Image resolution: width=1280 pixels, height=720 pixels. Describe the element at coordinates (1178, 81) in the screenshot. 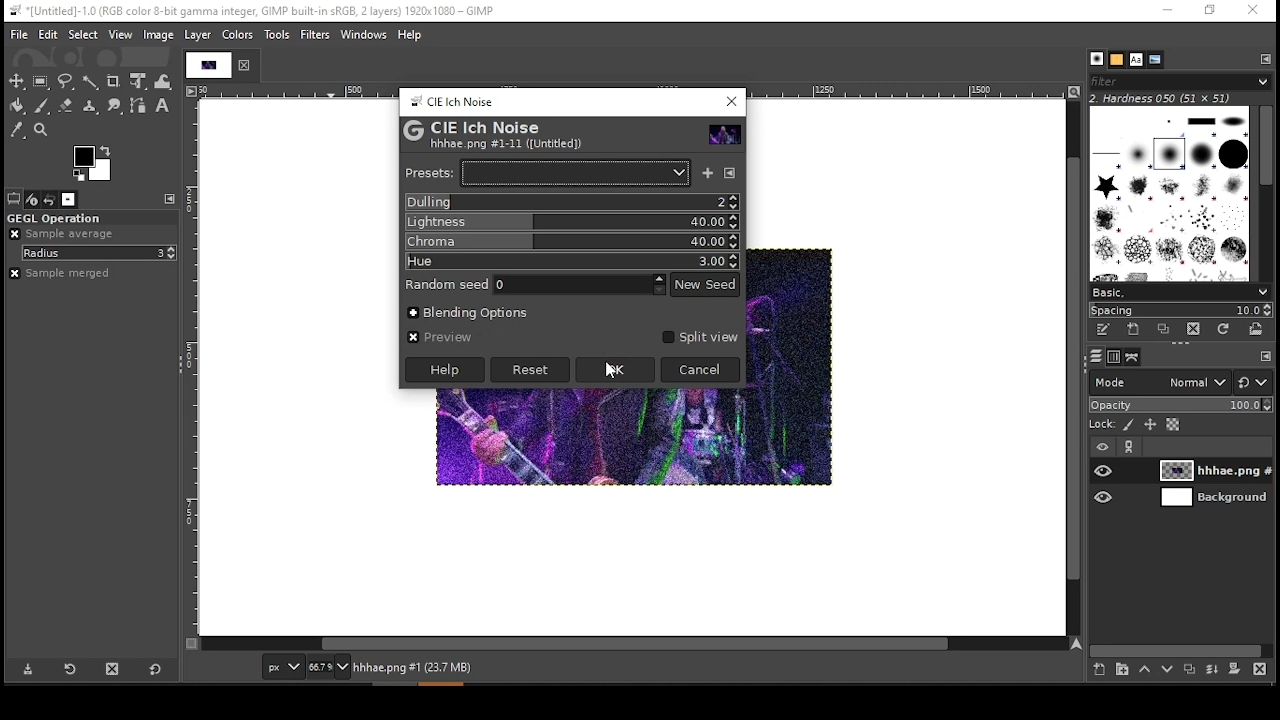

I see `brushes filter` at that location.